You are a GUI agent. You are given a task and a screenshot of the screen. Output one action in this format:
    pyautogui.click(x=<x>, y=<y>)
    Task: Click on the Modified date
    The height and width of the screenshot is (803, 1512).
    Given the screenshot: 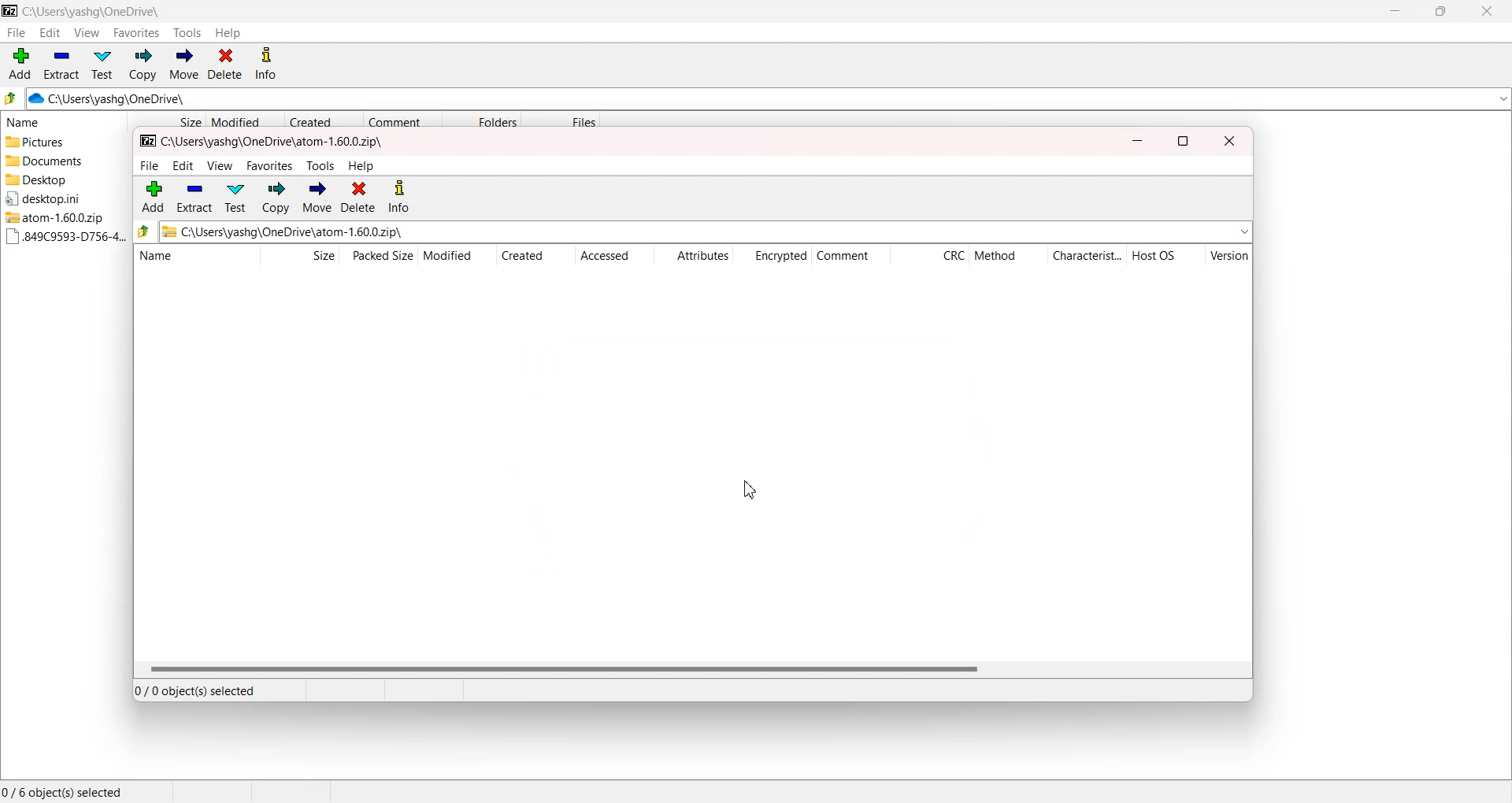 What is the action you would take?
    pyautogui.click(x=244, y=120)
    